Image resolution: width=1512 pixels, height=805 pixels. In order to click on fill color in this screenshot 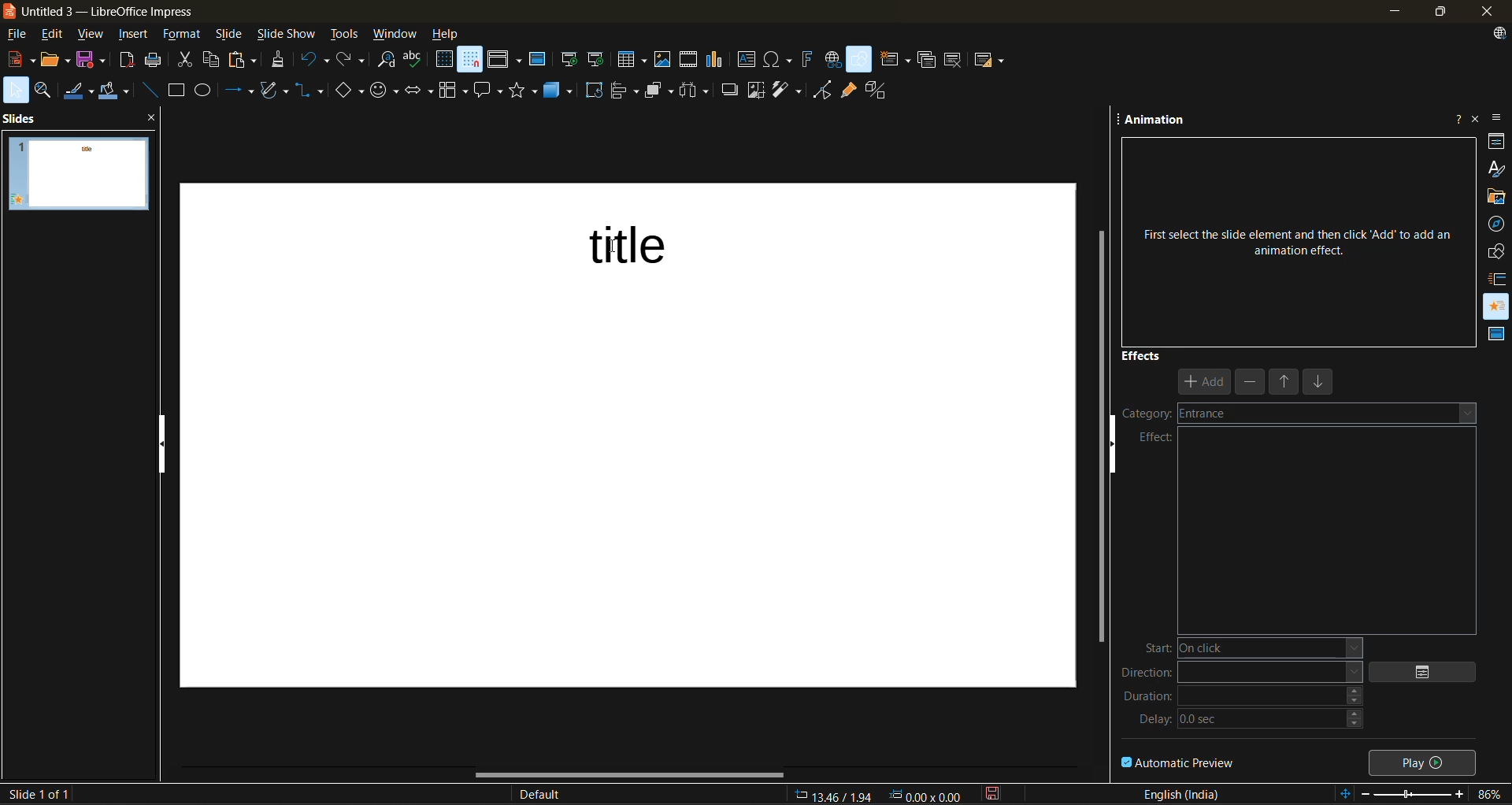, I will do `click(116, 93)`.